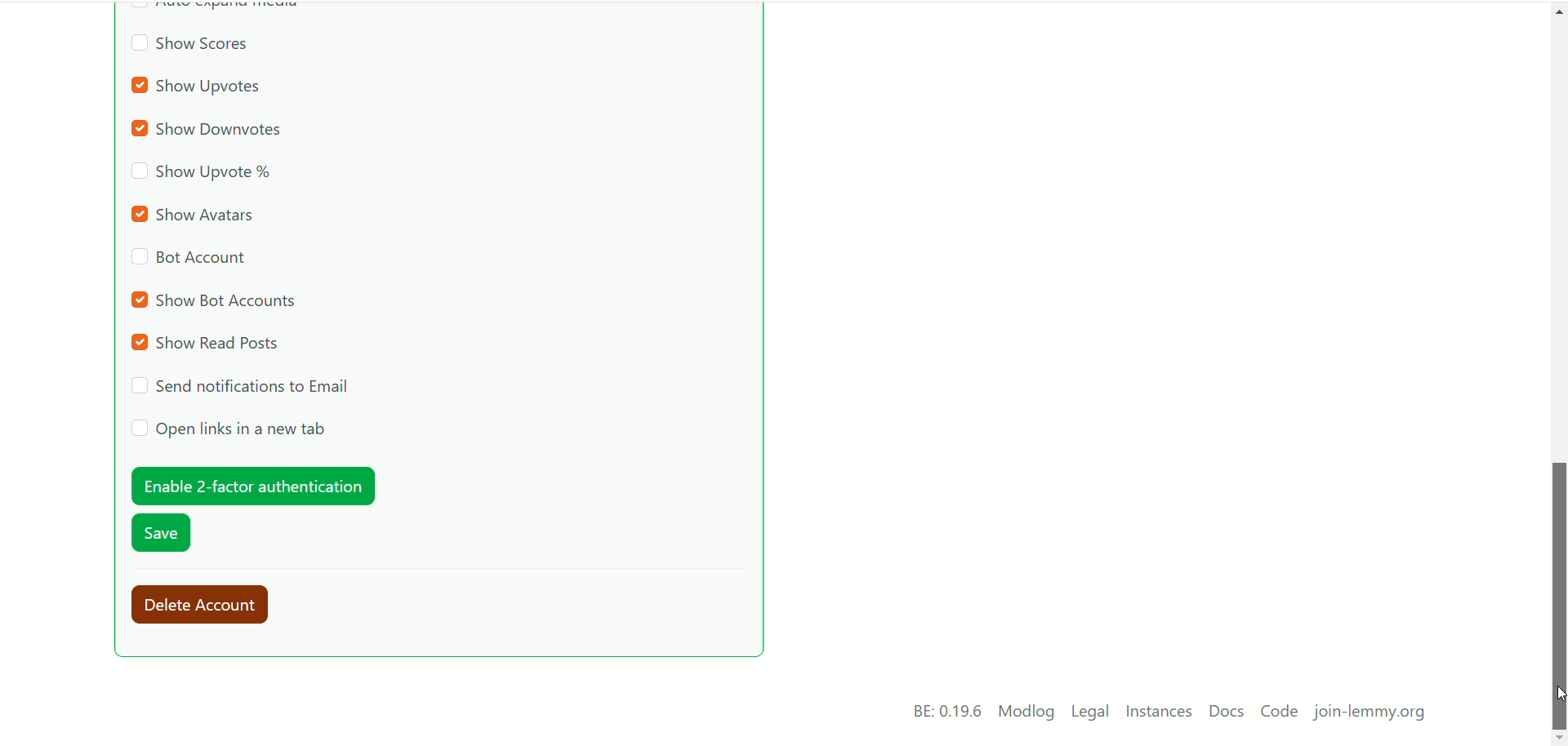 This screenshot has width=1568, height=746. What do you see at coordinates (1091, 714) in the screenshot?
I see `legal` at bounding box center [1091, 714].